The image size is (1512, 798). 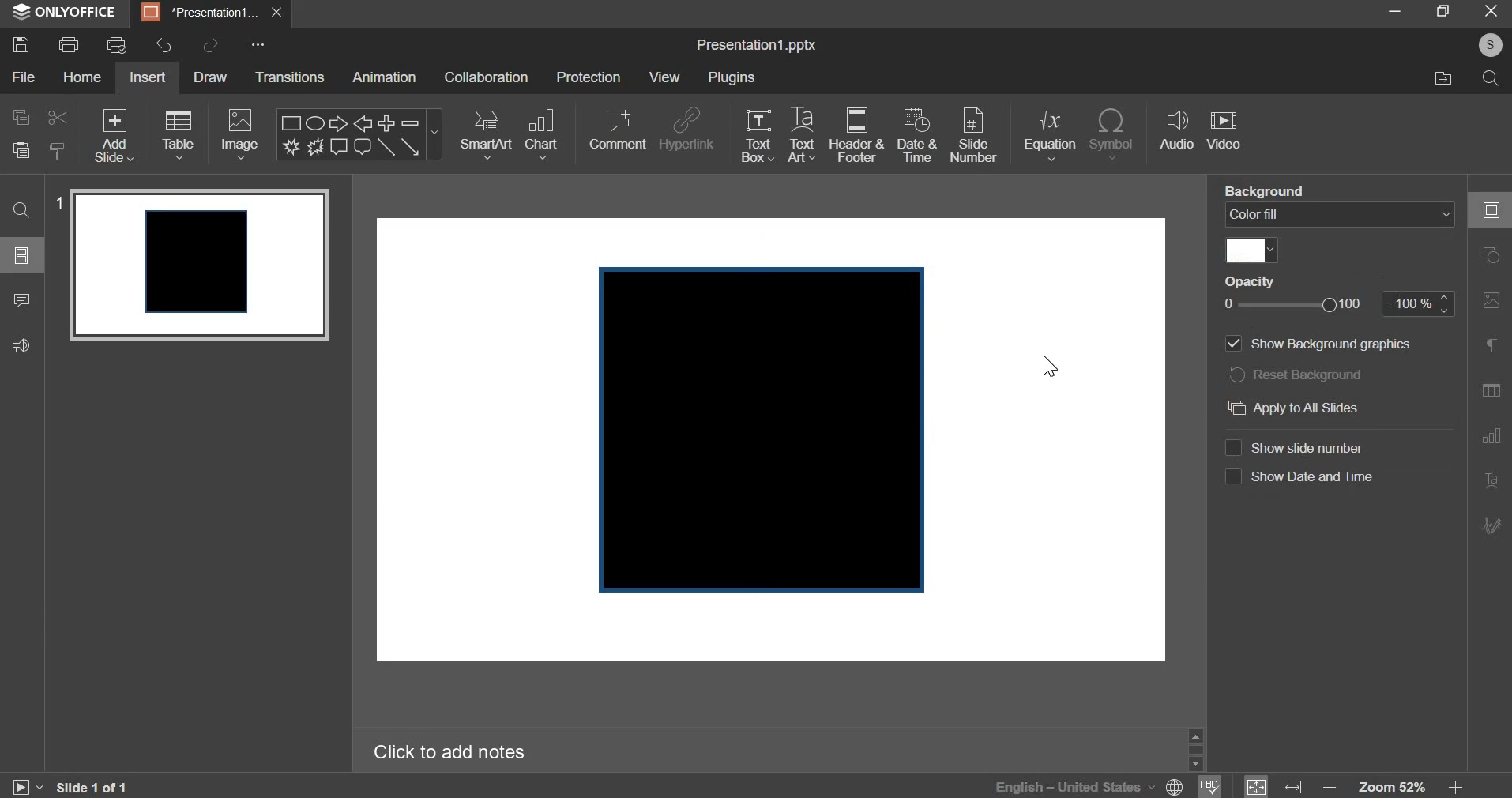 What do you see at coordinates (1490, 45) in the screenshot?
I see `S Profile` at bounding box center [1490, 45].